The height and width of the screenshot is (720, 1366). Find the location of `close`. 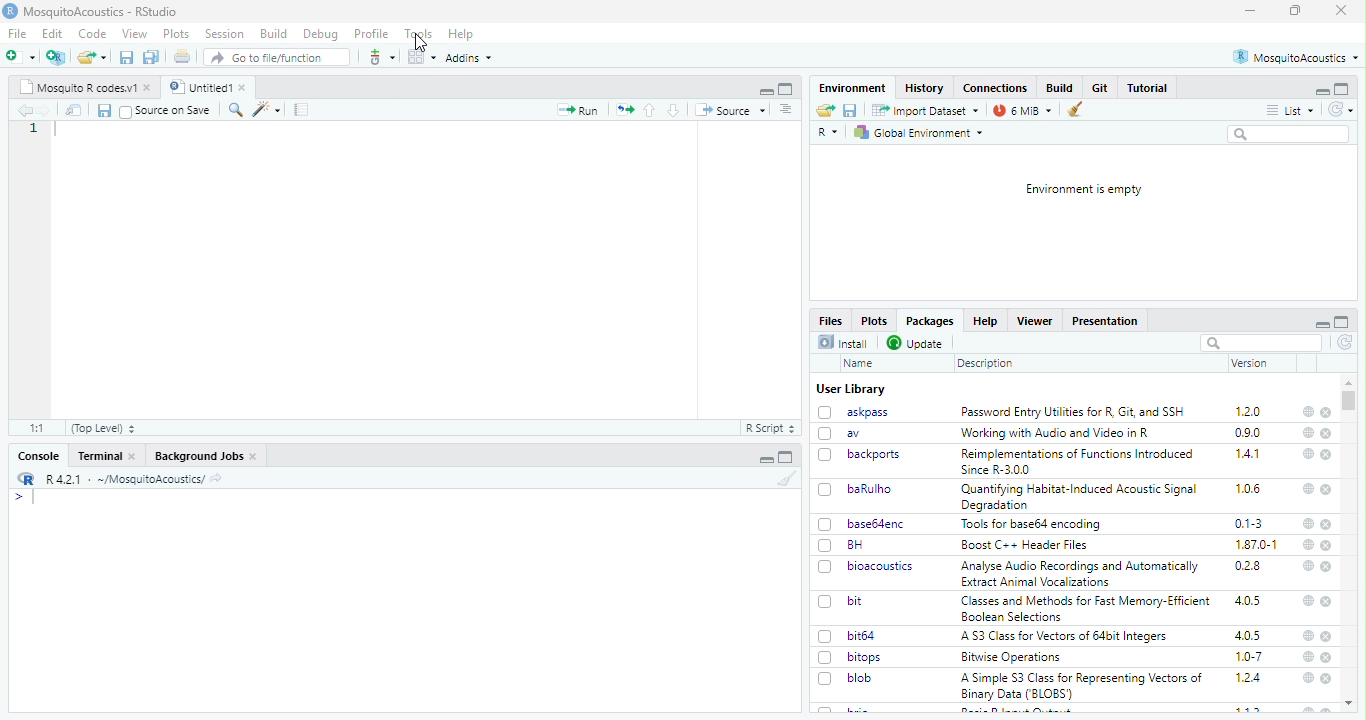

close is located at coordinates (245, 87).